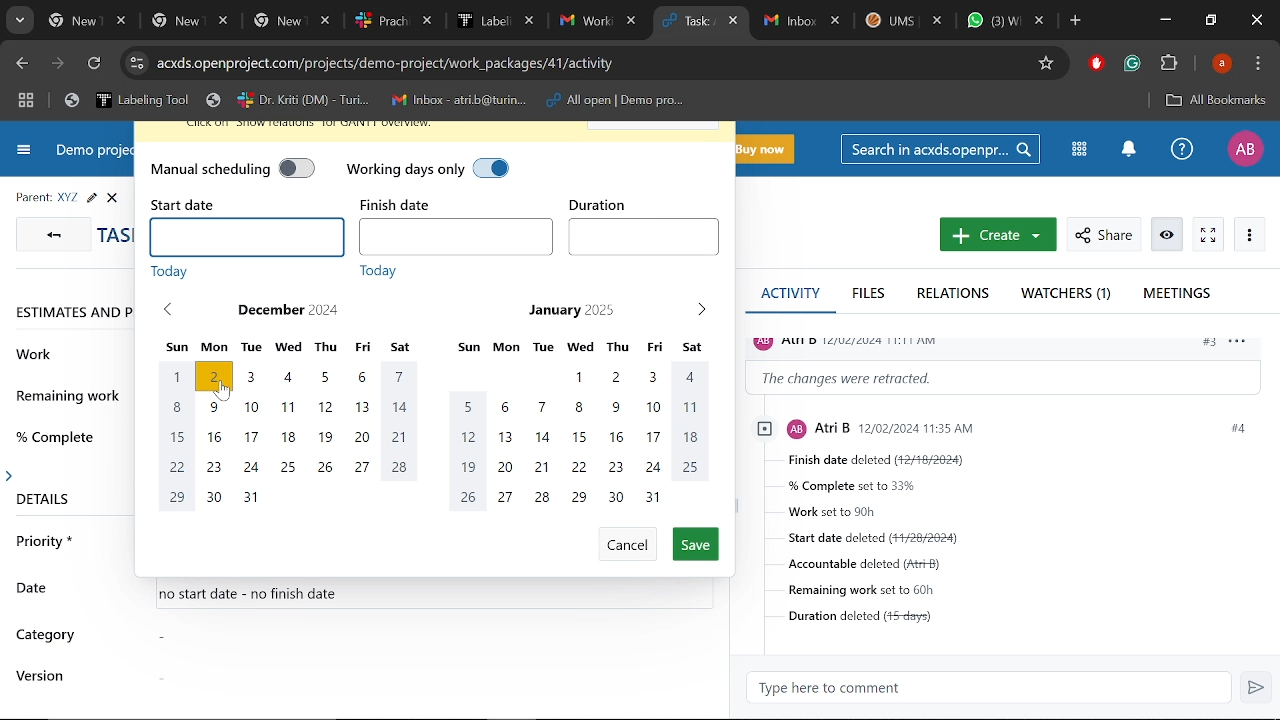  What do you see at coordinates (209, 167) in the screenshot?
I see `manual scheduling` at bounding box center [209, 167].